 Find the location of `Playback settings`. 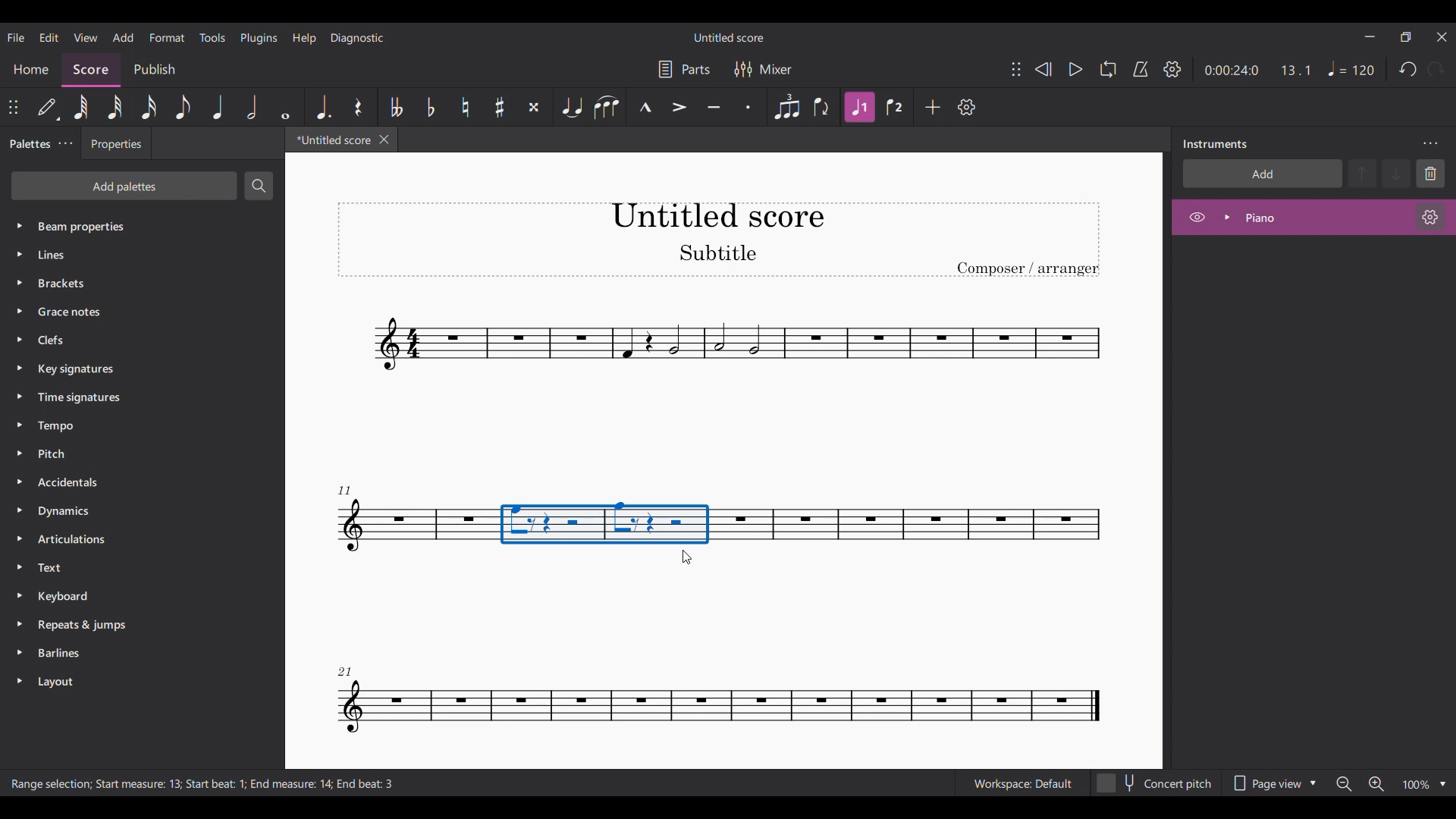

Playback settings is located at coordinates (1172, 69).